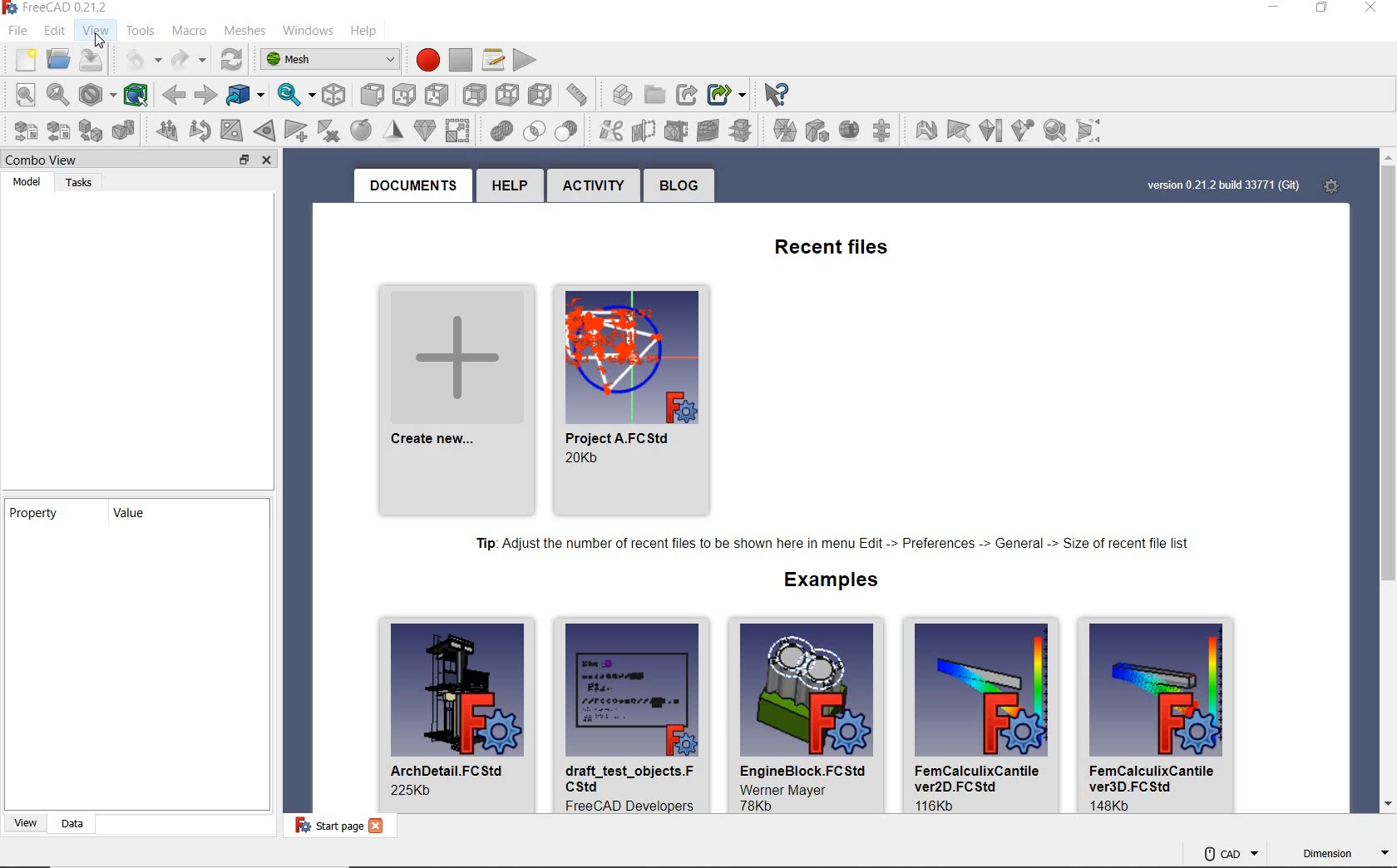 The width and height of the screenshot is (1397, 868). I want to click on restore down, so click(1325, 10).